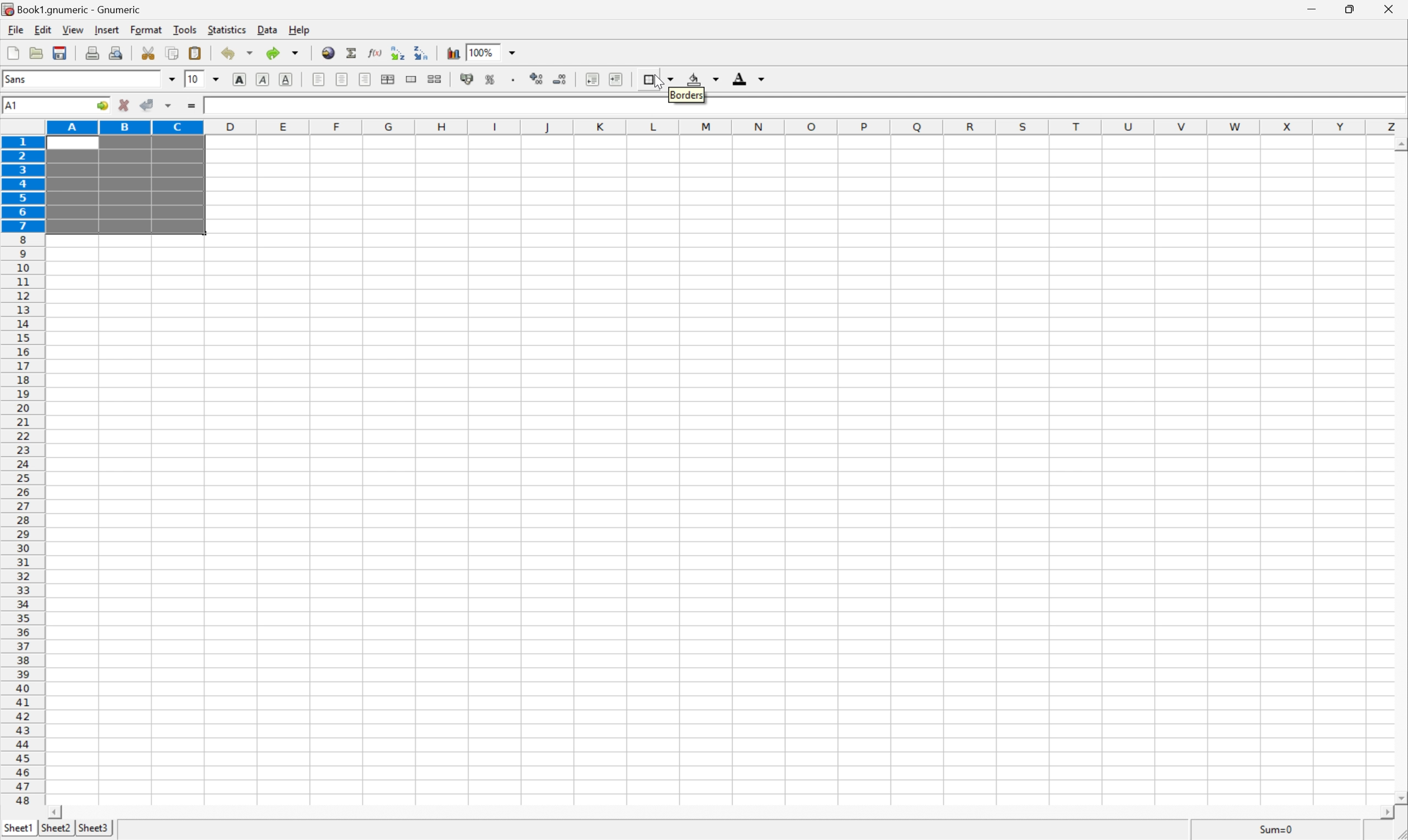 This screenshot has width=1408, height=840. I want to click on column numbers, so click(727, 126).